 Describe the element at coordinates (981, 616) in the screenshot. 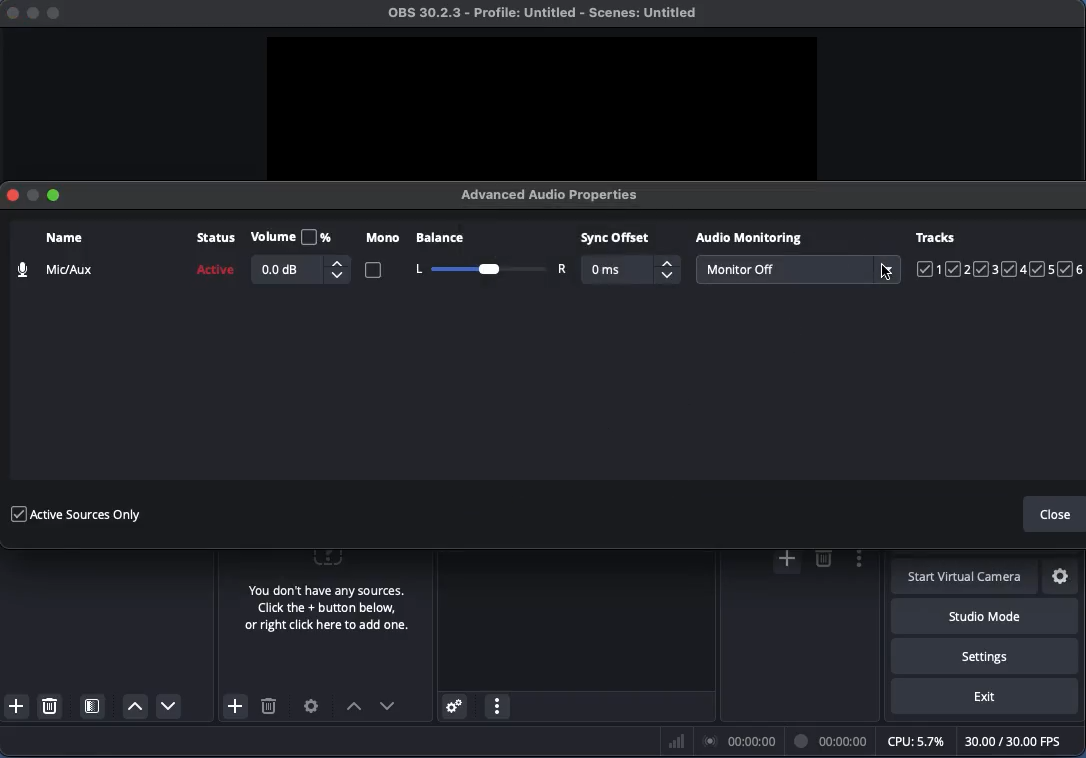

I see `Studio mode` at that location.